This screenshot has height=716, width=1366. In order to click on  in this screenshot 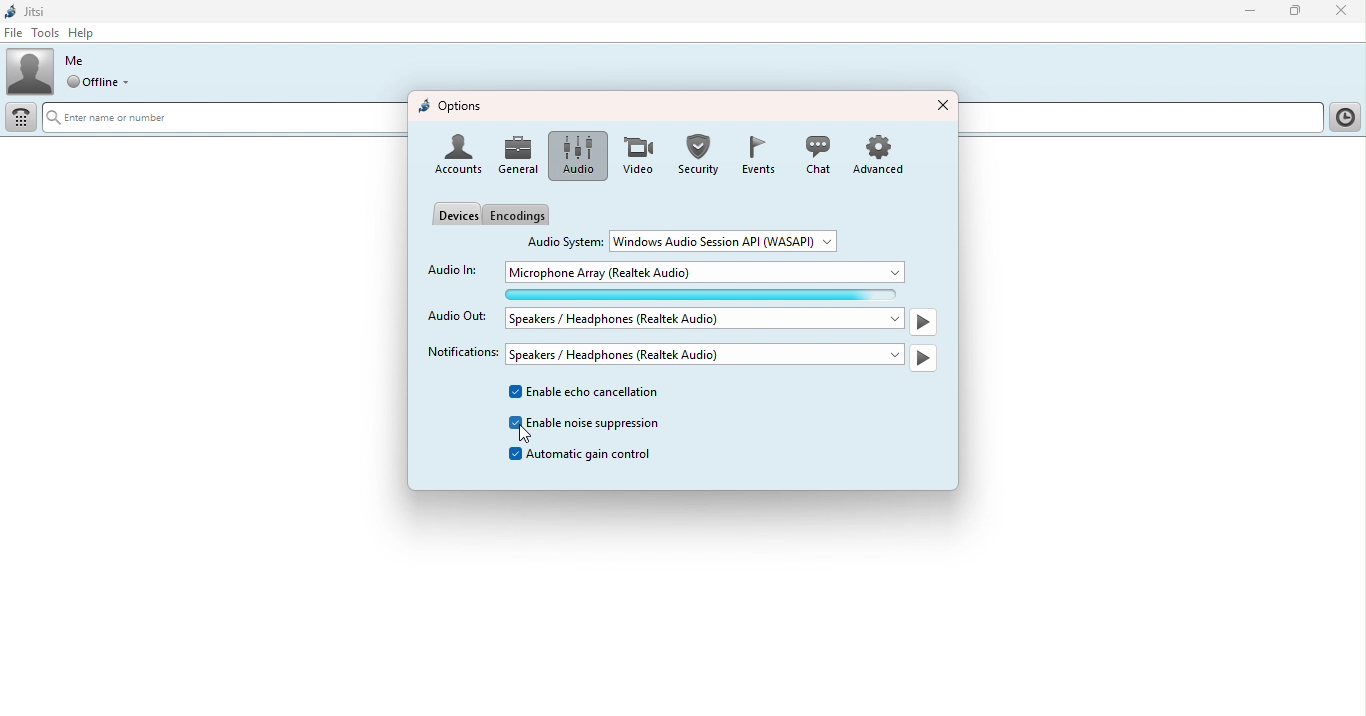, I will do `click(756, 155)`.